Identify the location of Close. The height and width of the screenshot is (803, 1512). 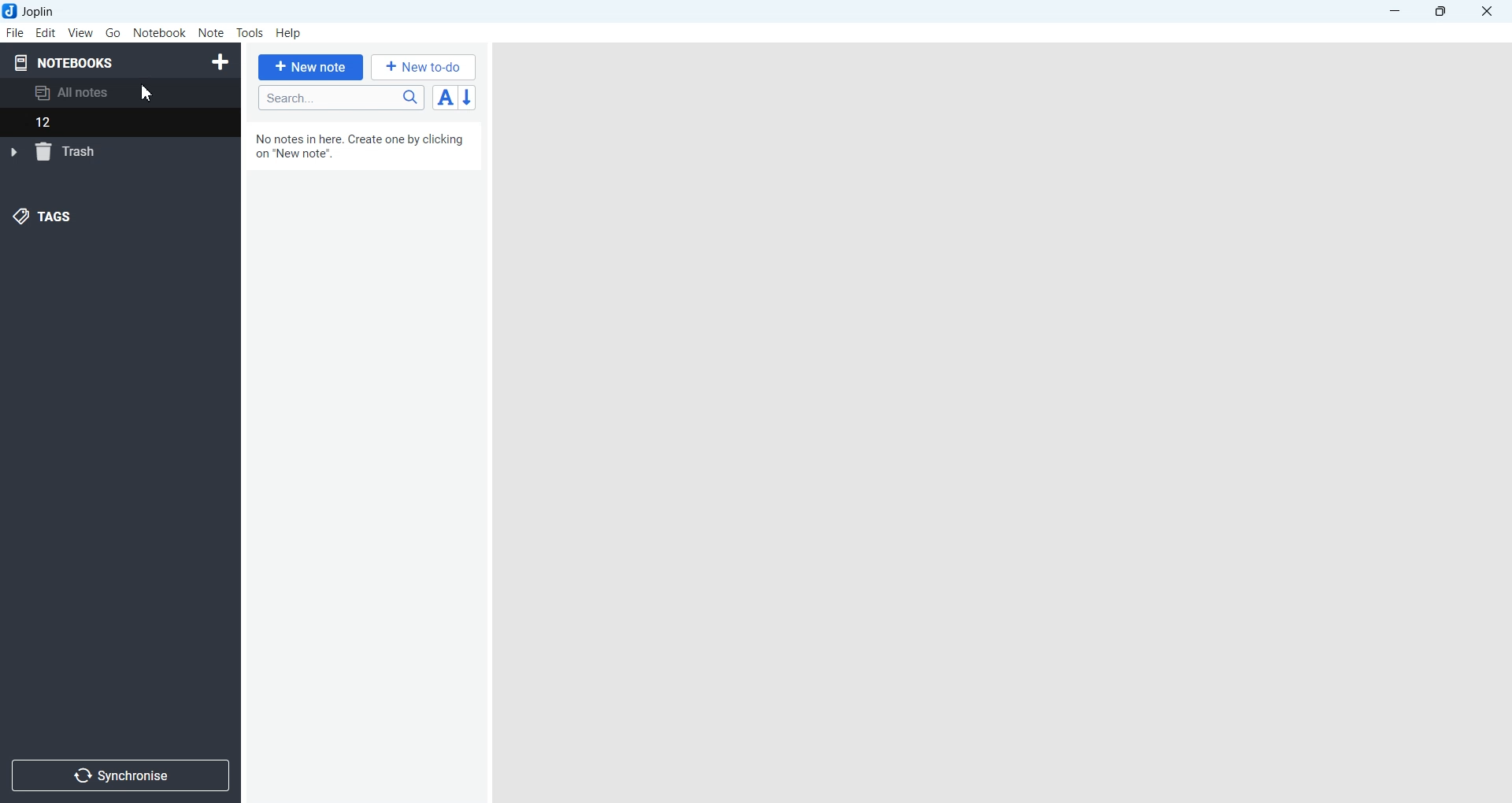
(1485, 12).